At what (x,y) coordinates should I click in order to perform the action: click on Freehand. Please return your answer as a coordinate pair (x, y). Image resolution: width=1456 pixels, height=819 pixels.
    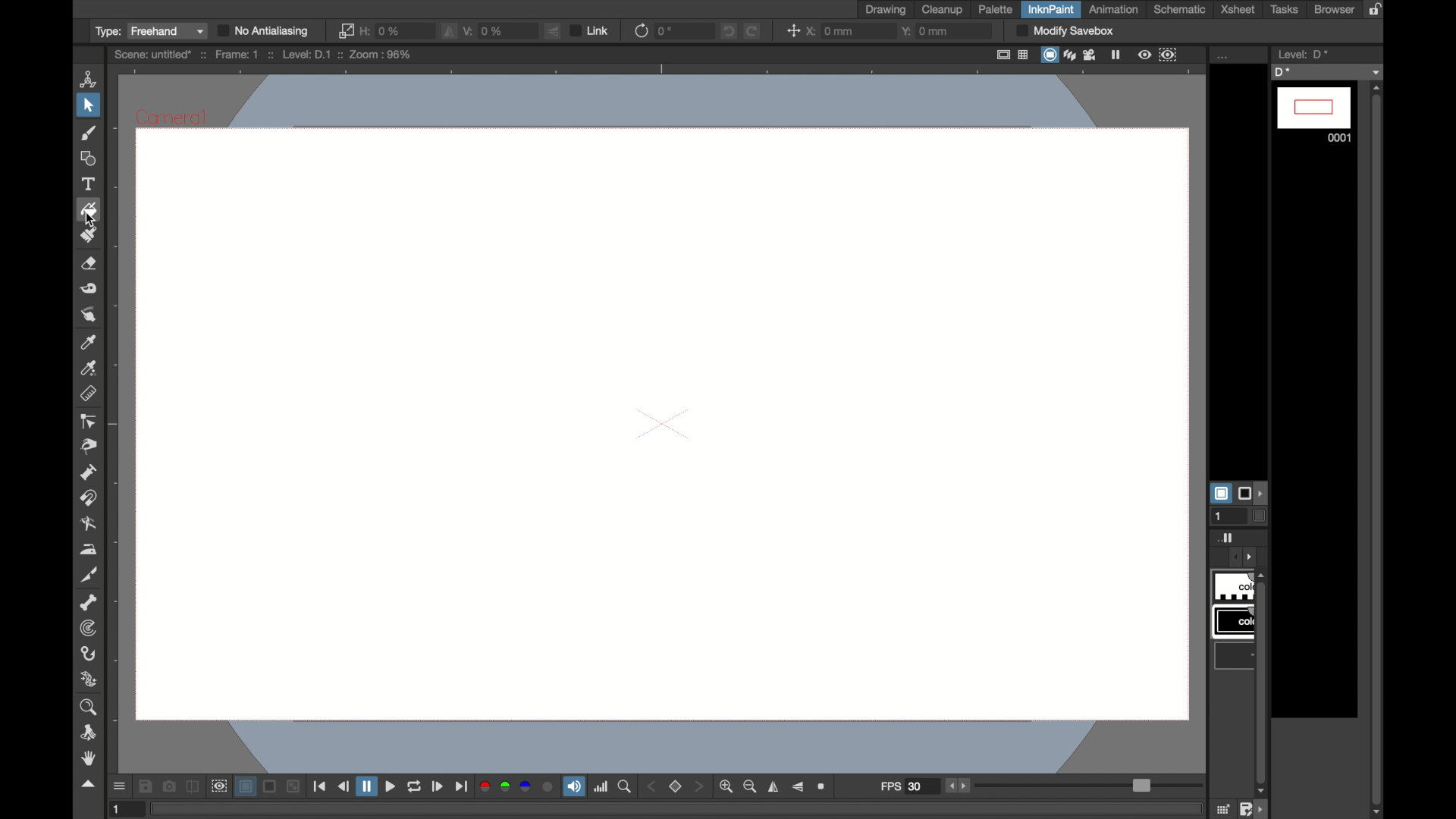
    Looking at the image, I should click on (168, 32).